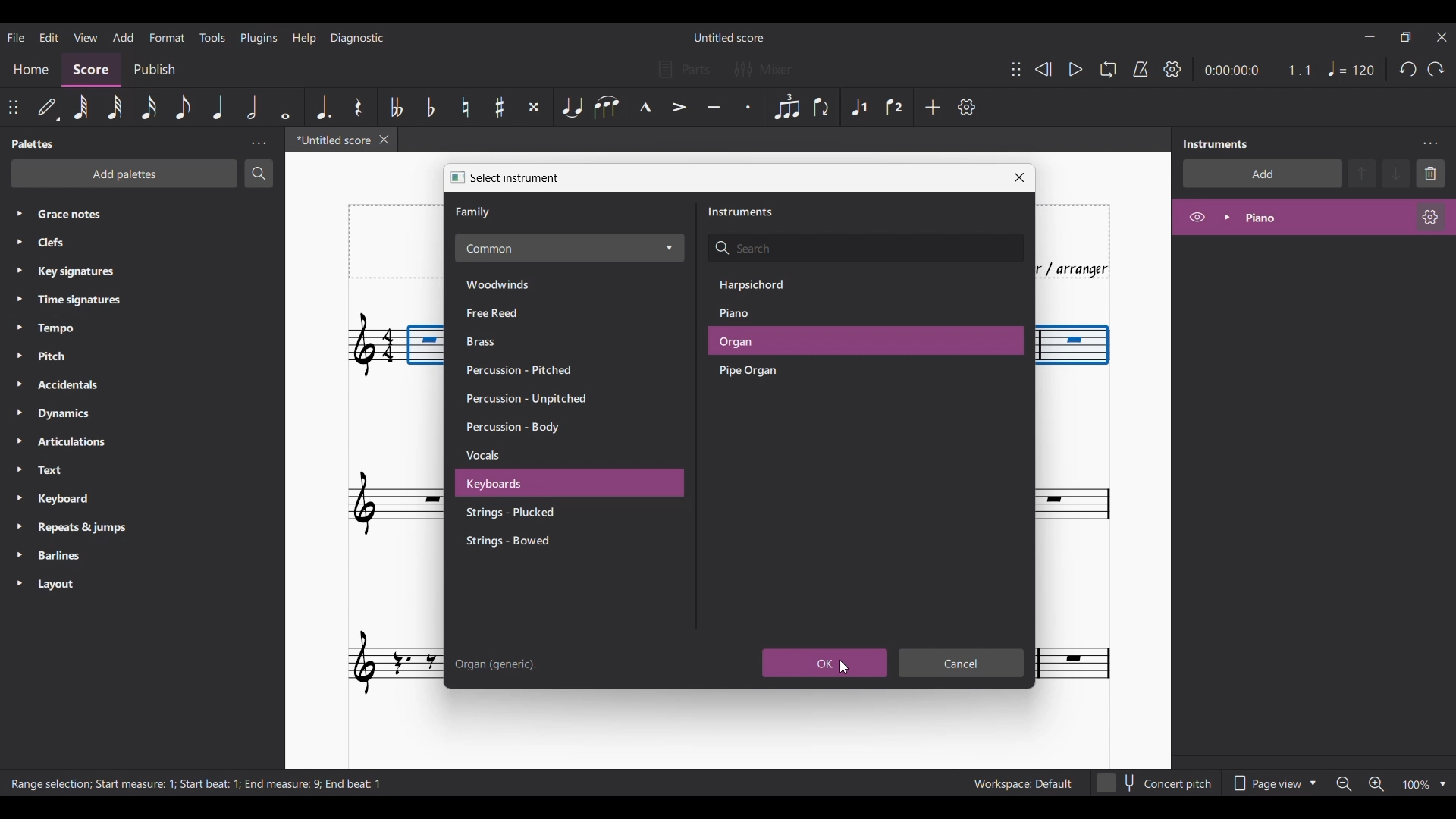 The image size is (1456, 819). I want to click on Piano settings, so click(1430, 217).